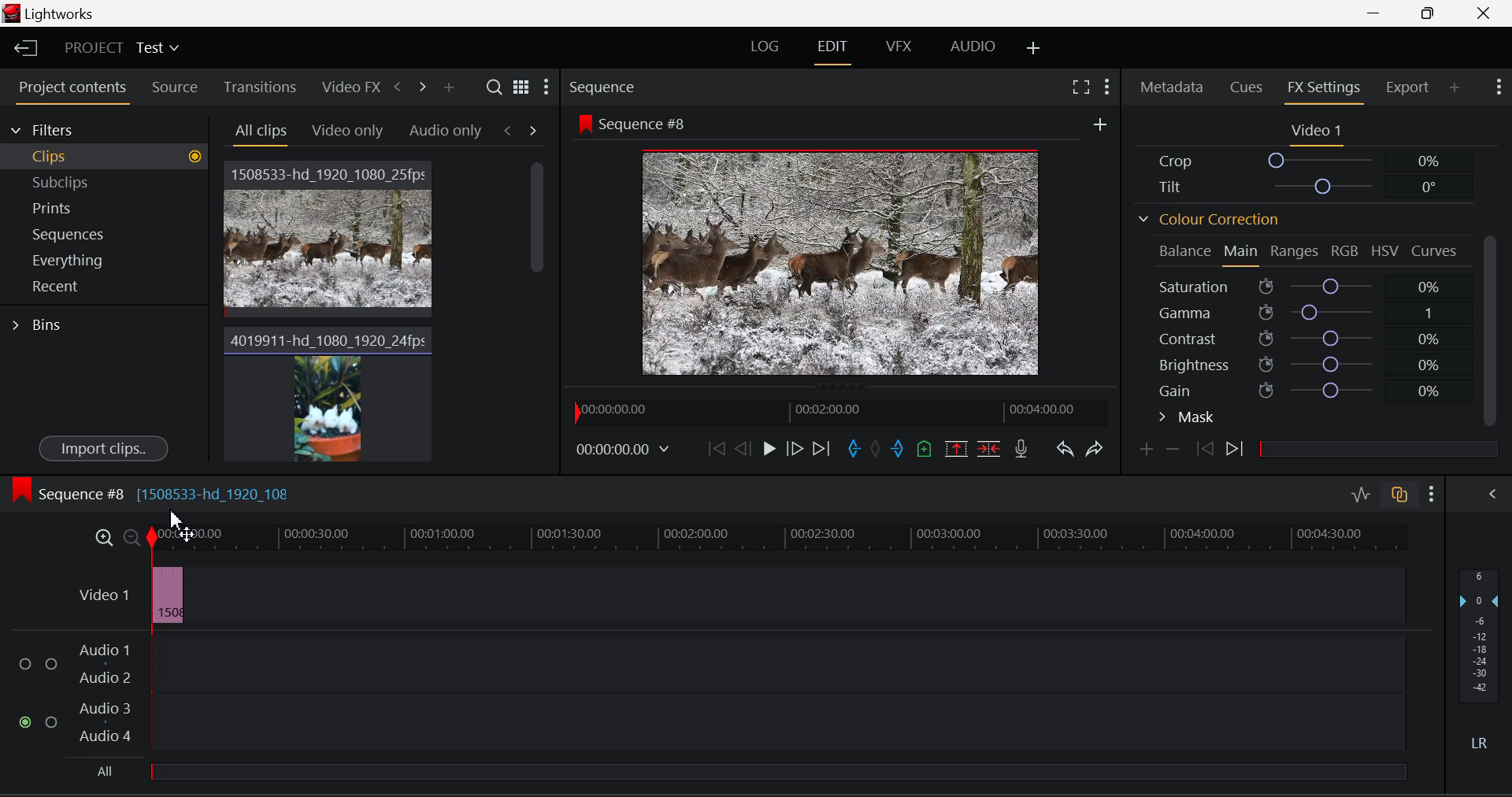 This screenshot has width=1512, height=797. I want to click on Sequence #8, so click(632, 122).